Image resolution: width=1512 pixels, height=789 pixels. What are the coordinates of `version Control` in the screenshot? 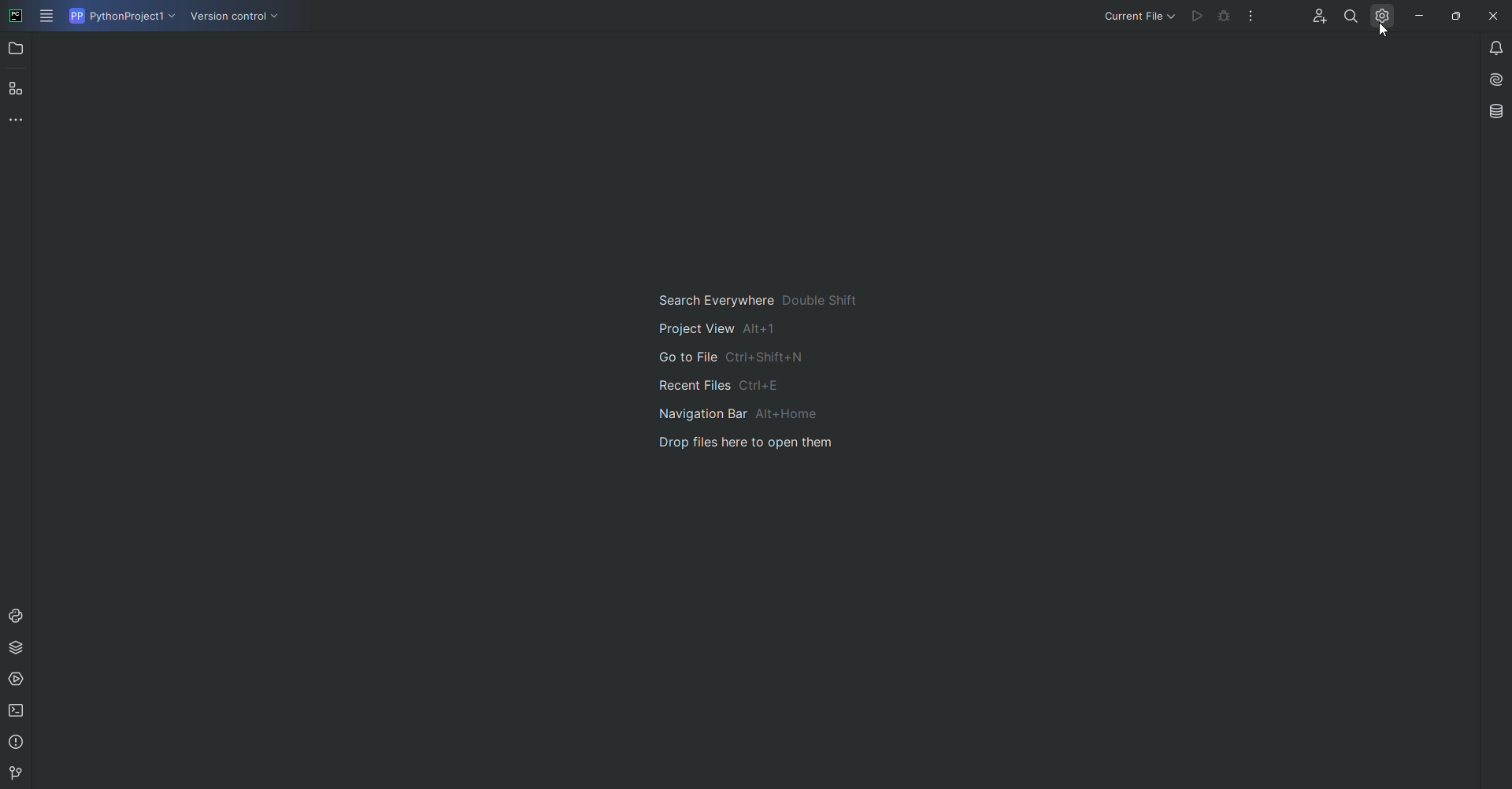 It's located at (13, 774).